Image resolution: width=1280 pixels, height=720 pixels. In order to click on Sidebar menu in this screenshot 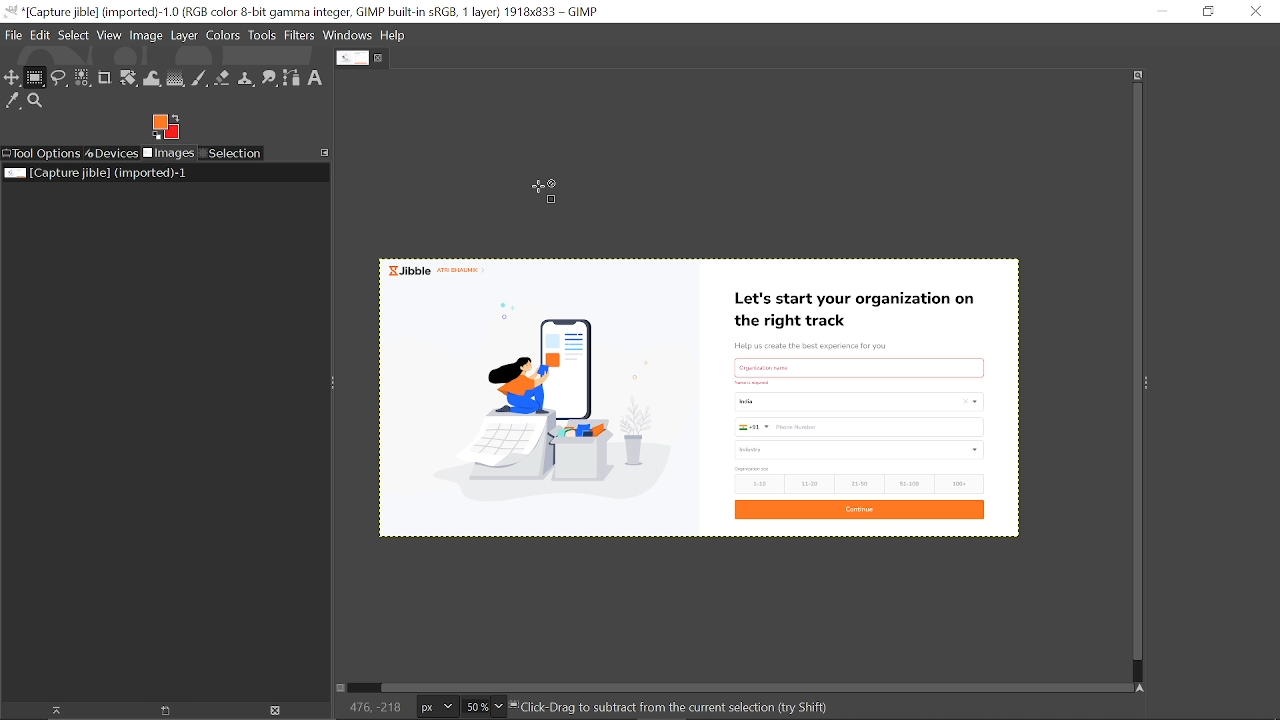, I will do `click(1152, 384)`.